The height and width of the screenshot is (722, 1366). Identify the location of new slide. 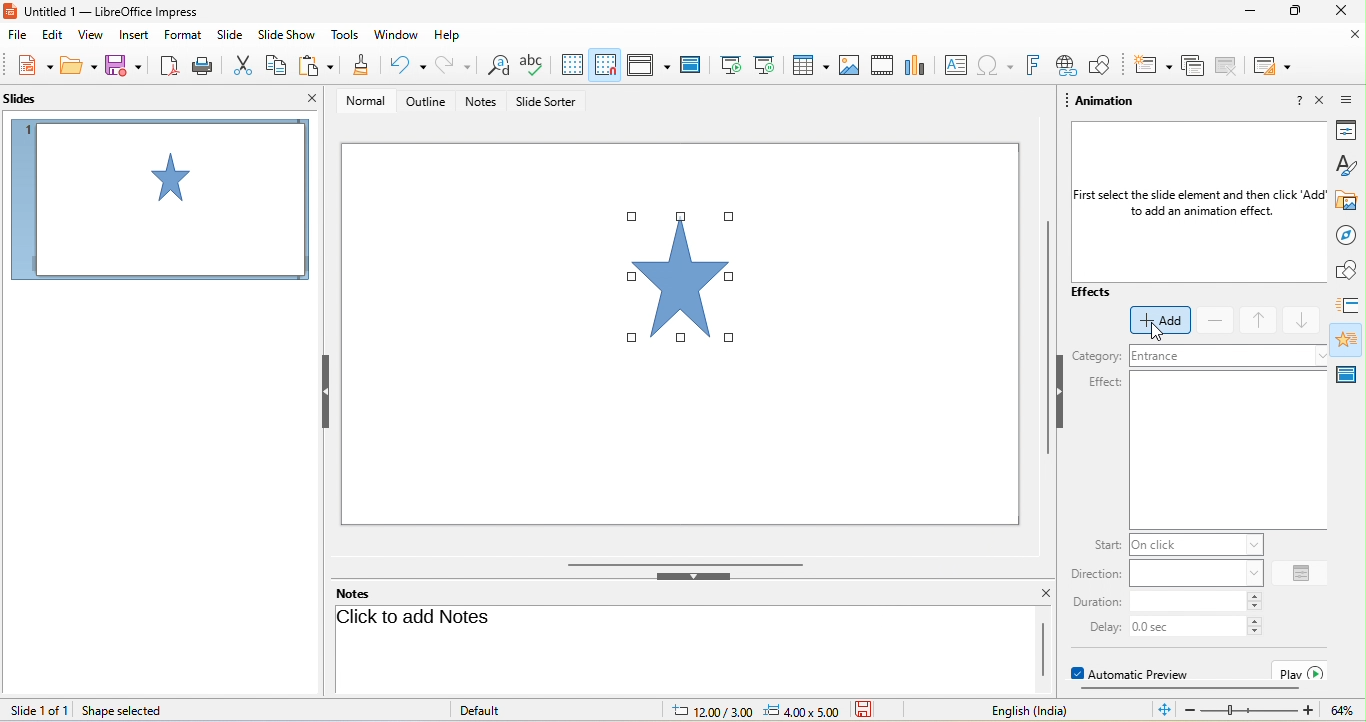
(1153, 67).